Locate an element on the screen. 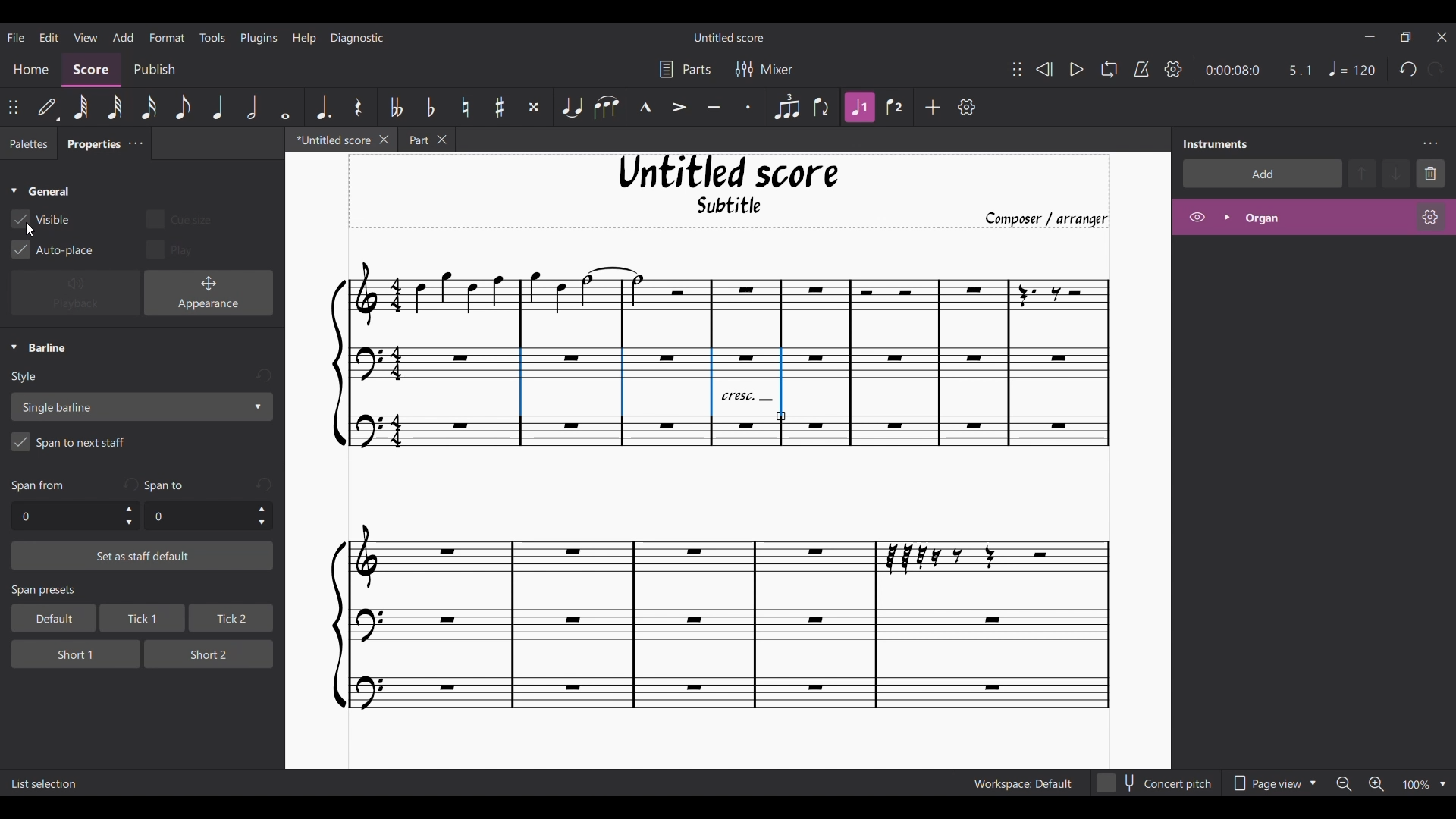 This screenshot has width=1456, height=819. Move selection up is located at coordinates (1363, 173).